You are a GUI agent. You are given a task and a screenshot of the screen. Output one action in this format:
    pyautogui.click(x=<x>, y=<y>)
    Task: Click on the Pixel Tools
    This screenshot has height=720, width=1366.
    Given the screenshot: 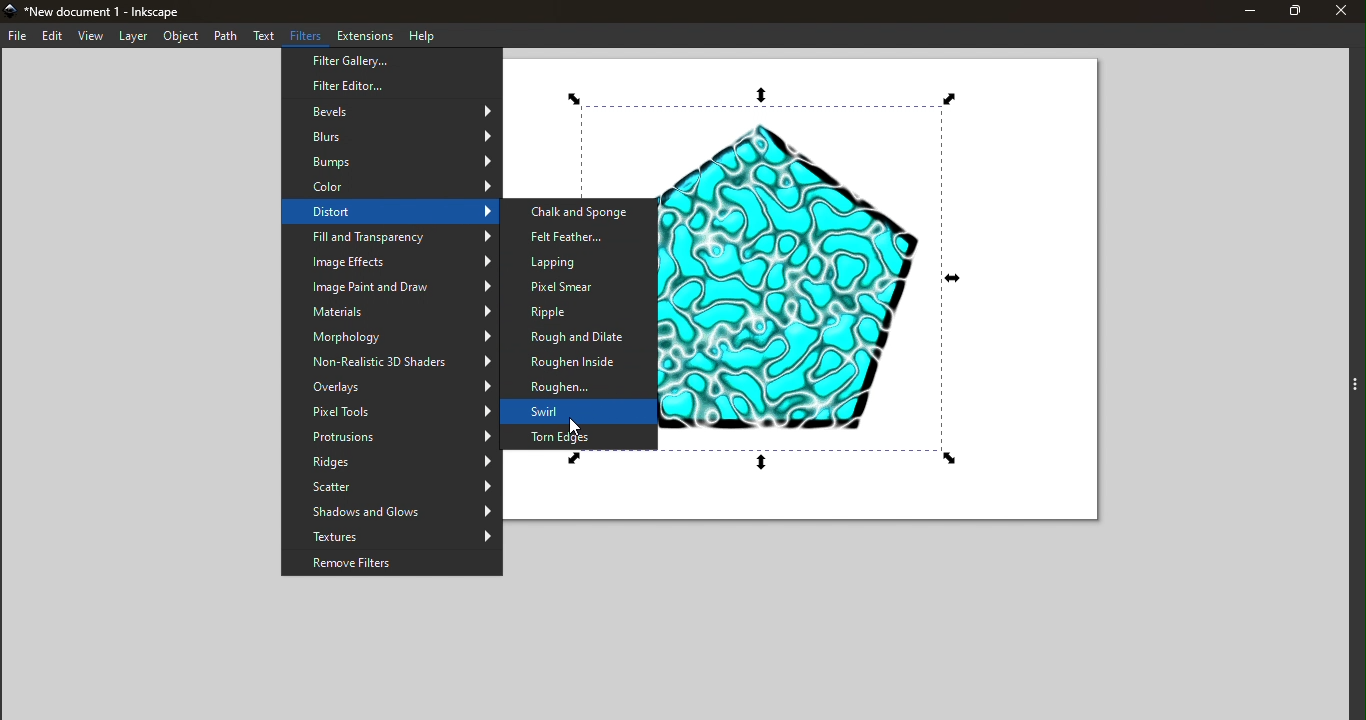 What is the action you would take?
    pyautogui.click(x=391, y=414)
    